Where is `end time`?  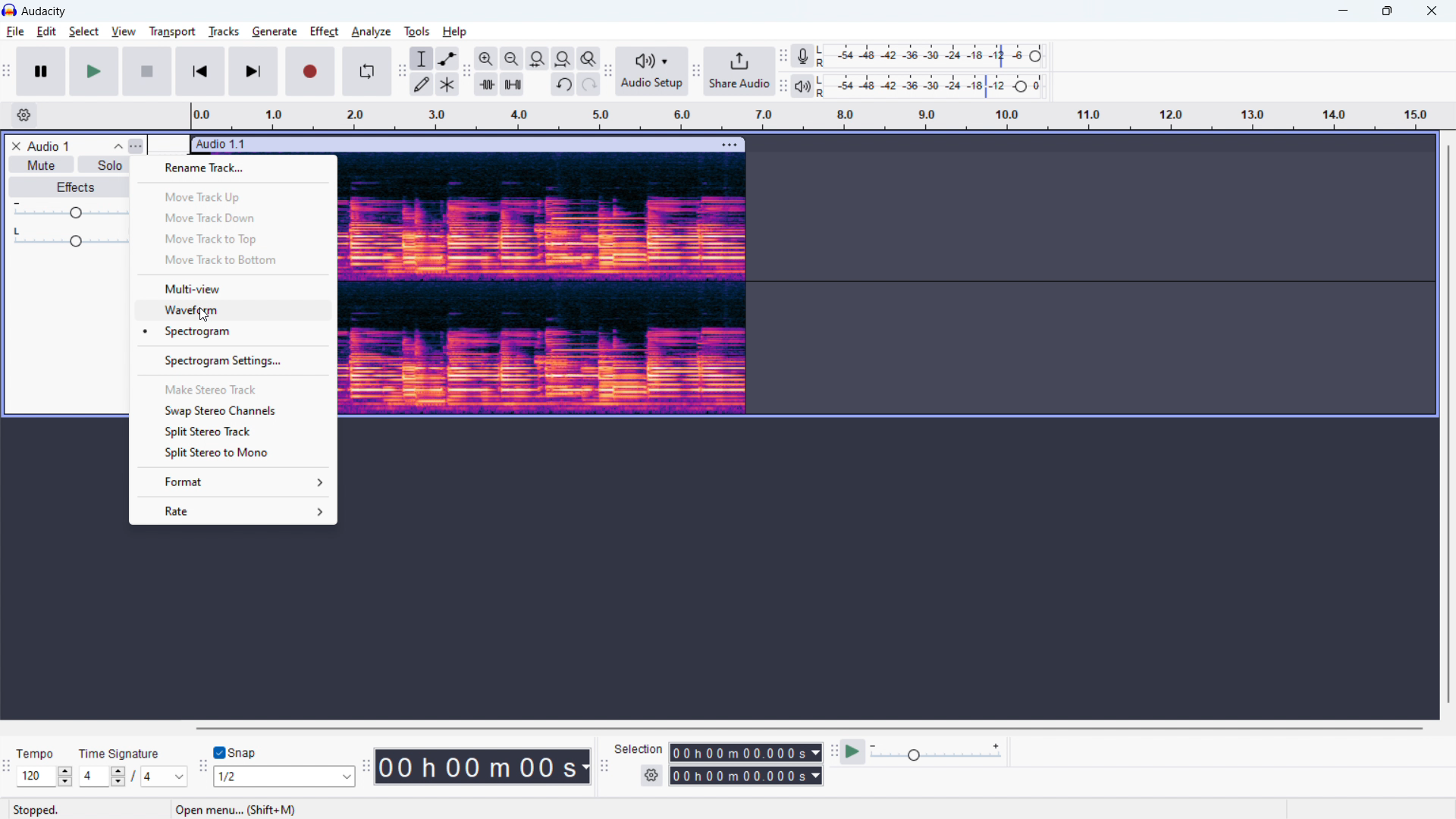
end time is located at coordinates (746, 777).